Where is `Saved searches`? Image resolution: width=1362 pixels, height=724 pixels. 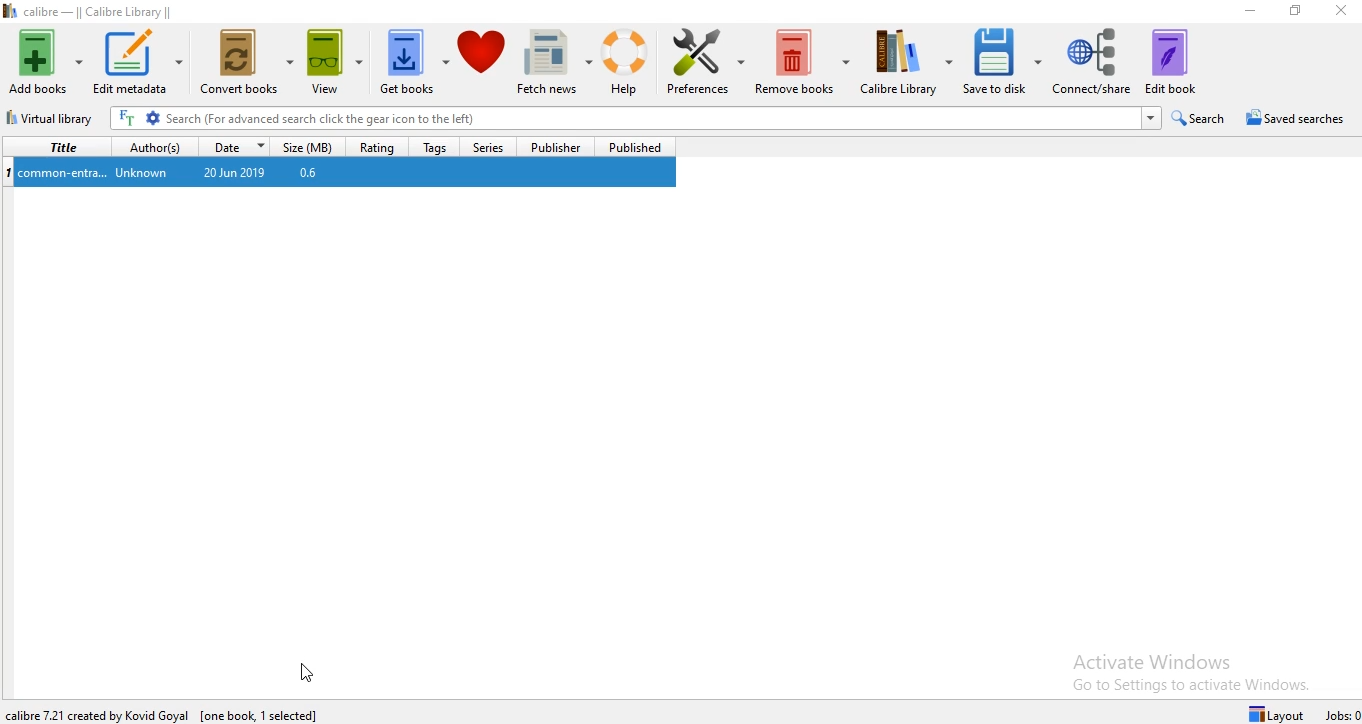 Saved searches is located at coordinates (1295, 119).